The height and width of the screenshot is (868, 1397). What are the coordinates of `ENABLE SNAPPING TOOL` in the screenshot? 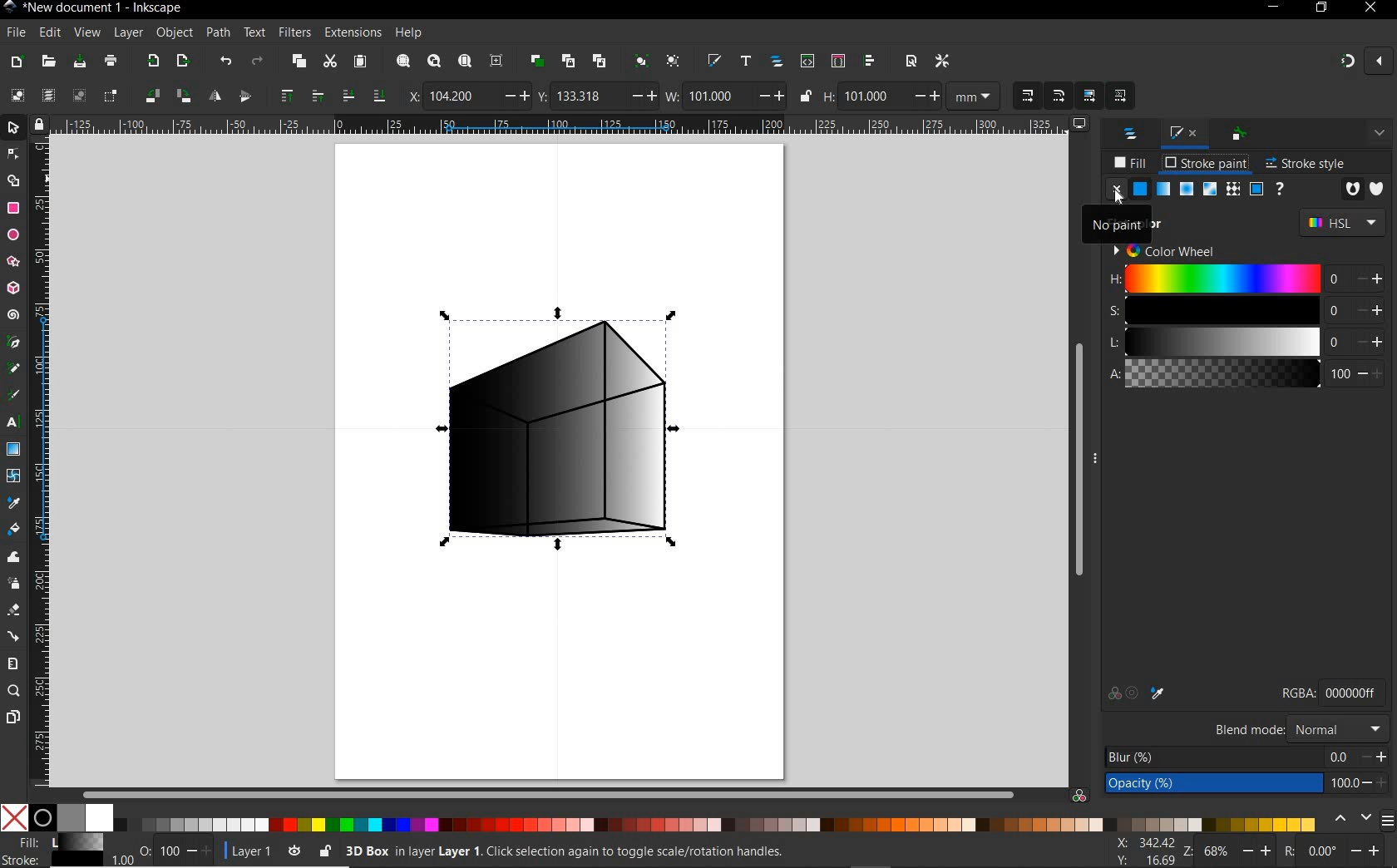 It's located at (1348, 62).